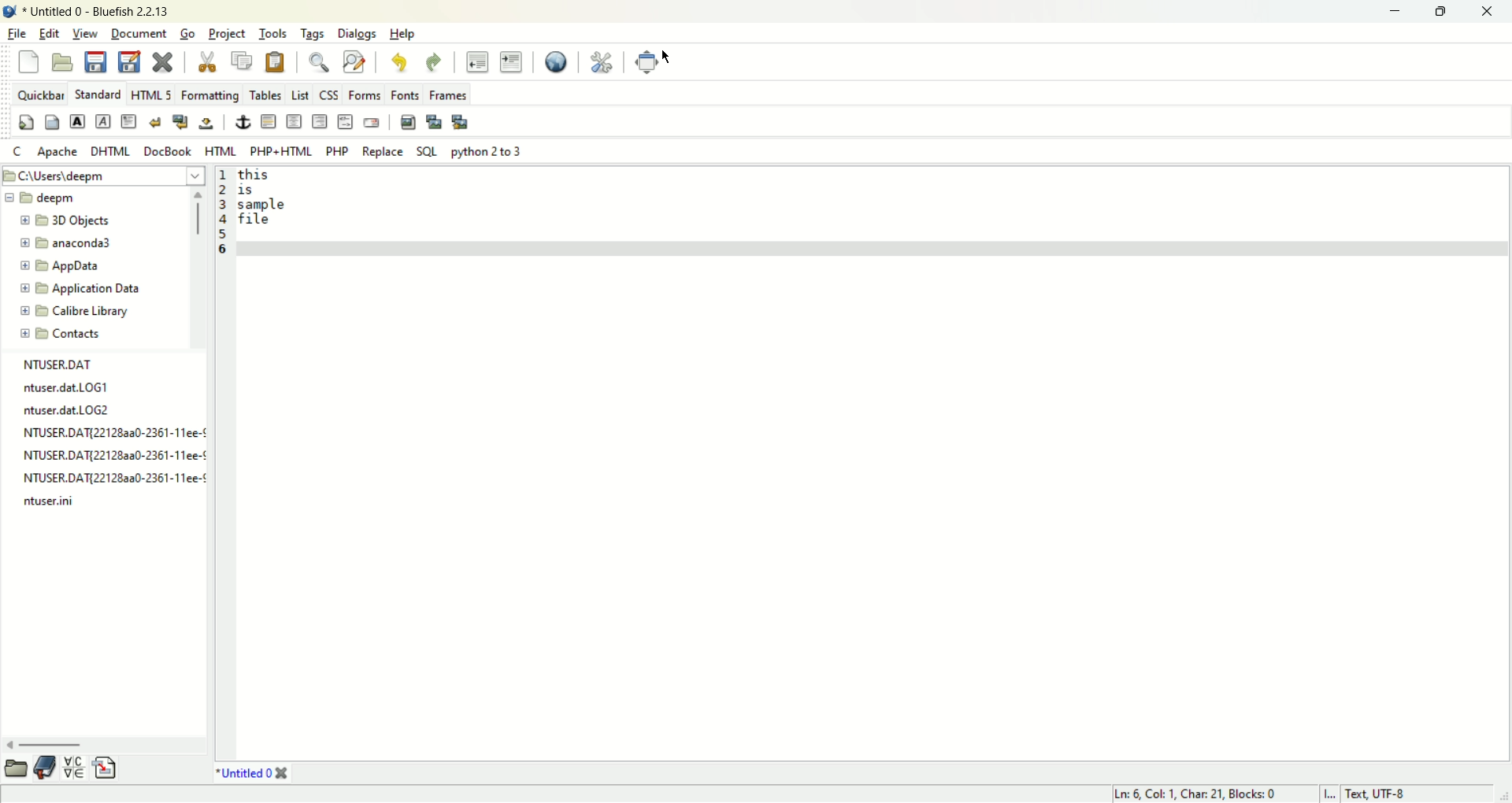 The width and height of the screenshot is (1512, 803). What do you see at coordinates (68, 387) in the screenshot?
I see `ntuser.dat.LOG1` at bounding box center [68, 387].